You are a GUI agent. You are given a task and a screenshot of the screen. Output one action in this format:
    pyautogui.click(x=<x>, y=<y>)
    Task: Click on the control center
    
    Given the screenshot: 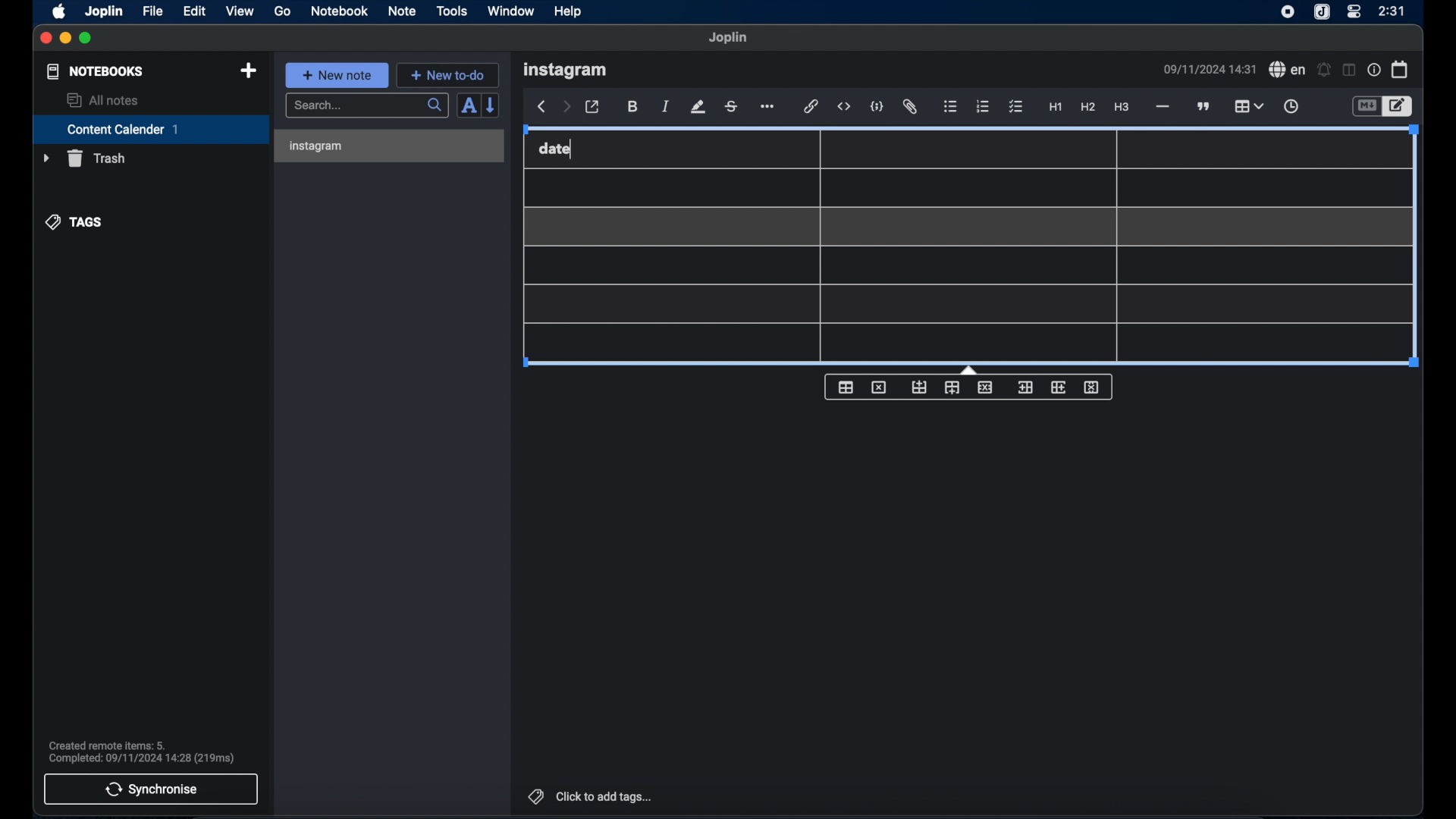 What is the action you would take?
    pyautogui.click(x=1354, y=12)
    